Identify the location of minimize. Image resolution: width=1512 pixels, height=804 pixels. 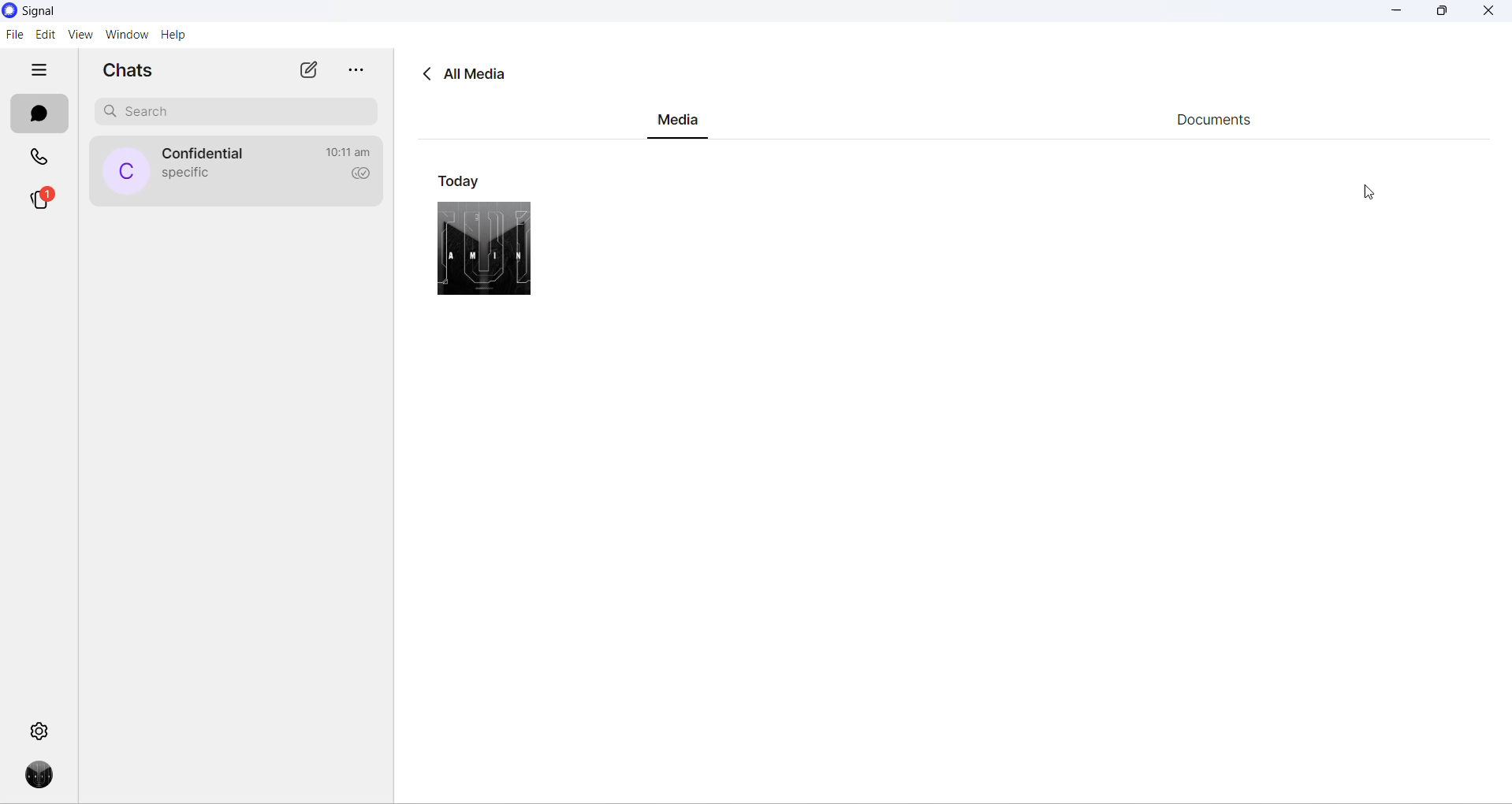
(1397, 13).